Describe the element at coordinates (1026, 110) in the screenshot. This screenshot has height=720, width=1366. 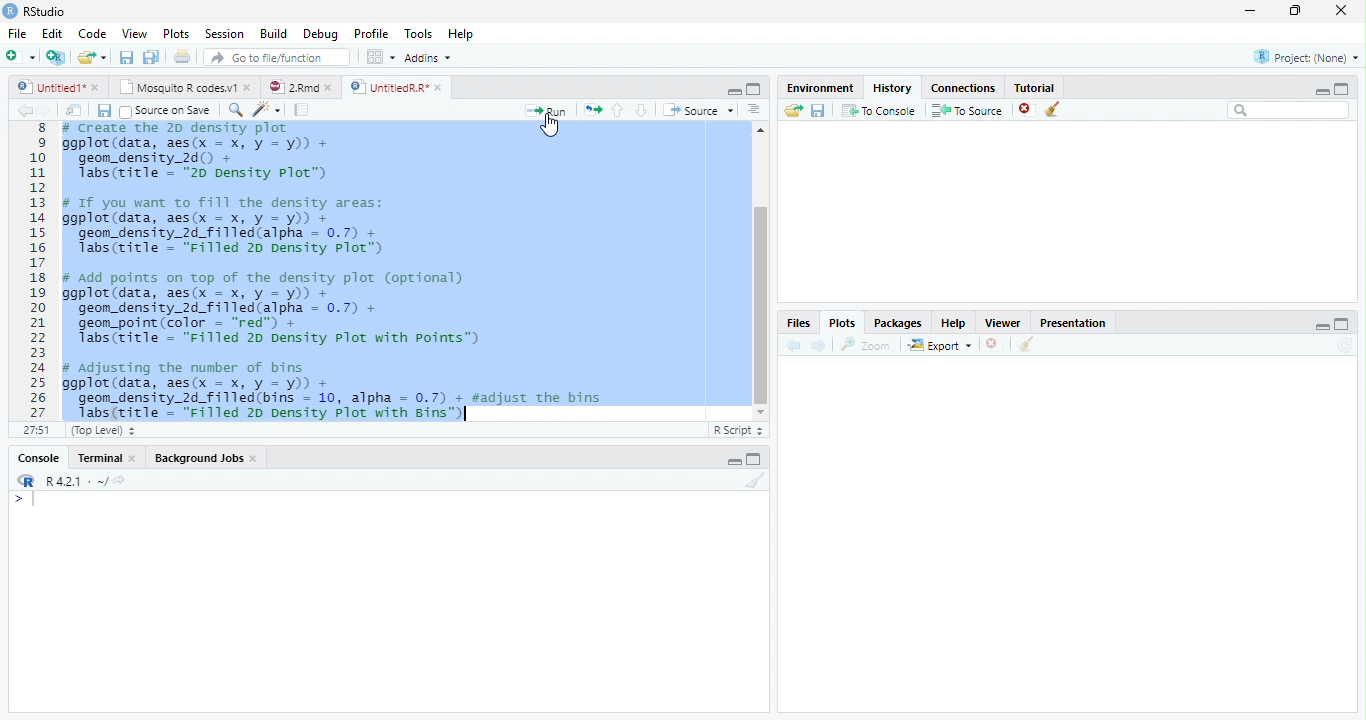
I see `close` at that location.